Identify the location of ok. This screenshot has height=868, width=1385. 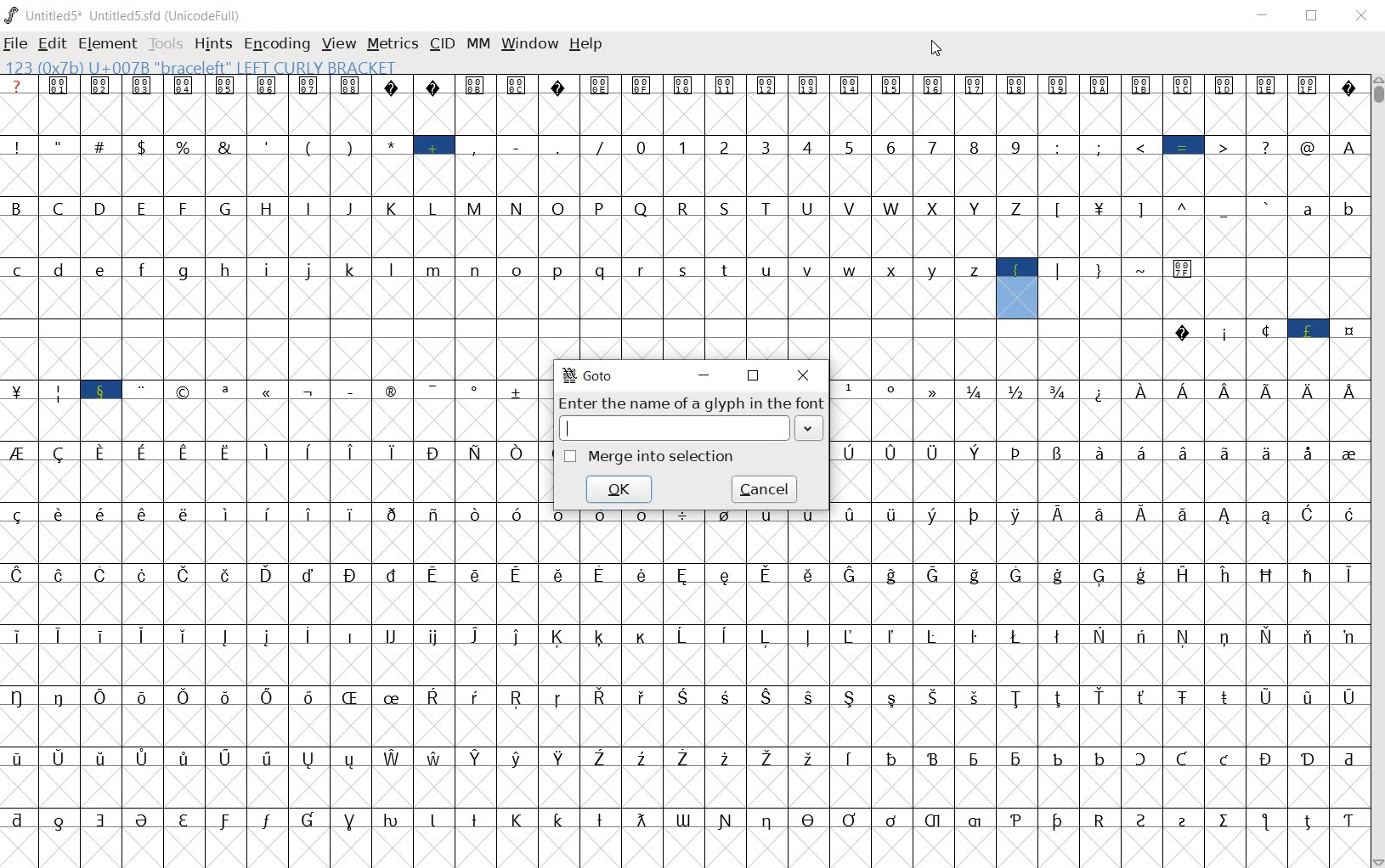
(621, 490).